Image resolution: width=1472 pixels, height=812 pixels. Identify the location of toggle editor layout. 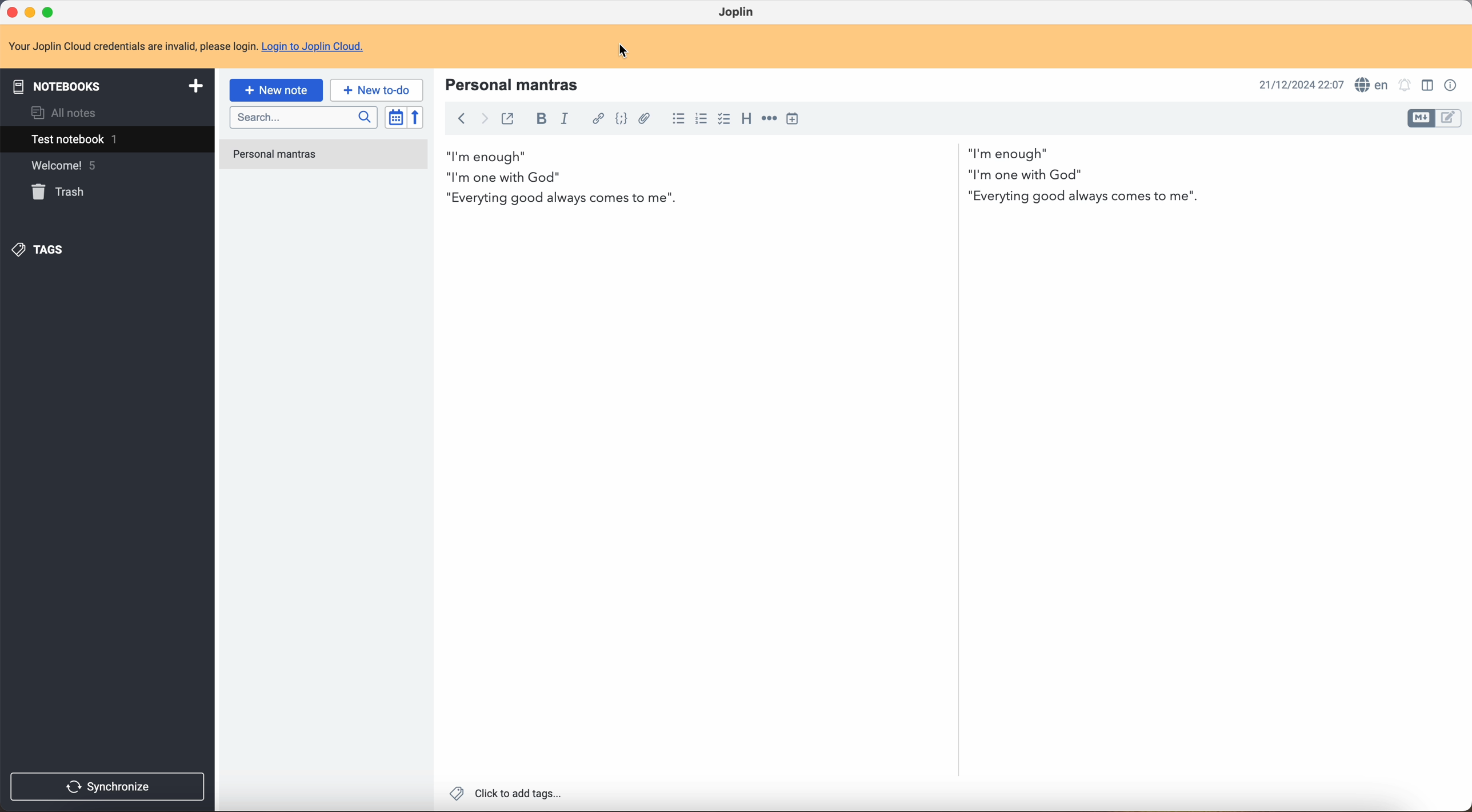
(1453, 117).